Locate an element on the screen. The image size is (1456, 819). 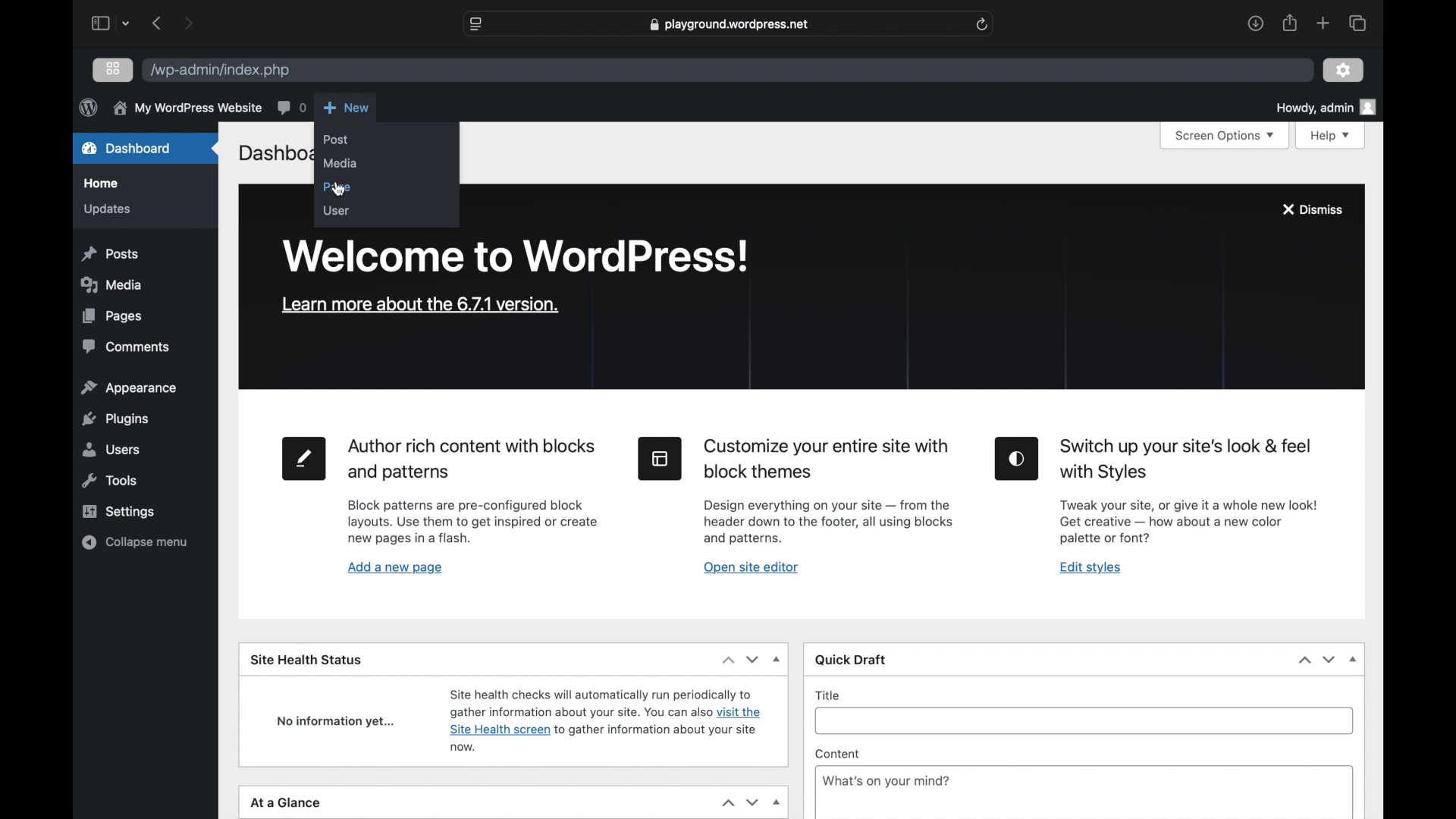
what's on your mind is located at coordinates (886, 780).